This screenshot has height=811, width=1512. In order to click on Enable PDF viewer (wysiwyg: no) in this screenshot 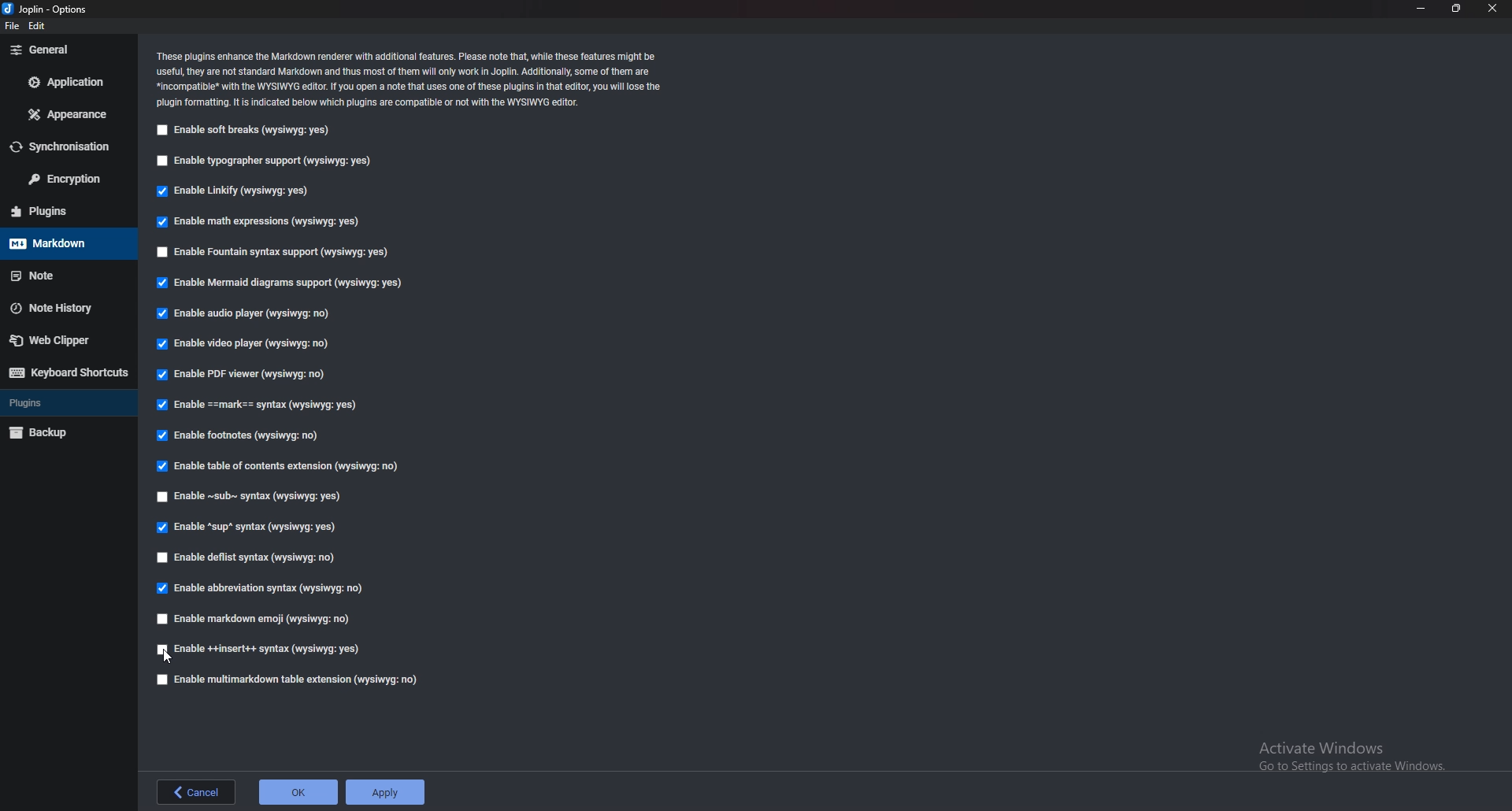, I will do `click(250, 372)`.